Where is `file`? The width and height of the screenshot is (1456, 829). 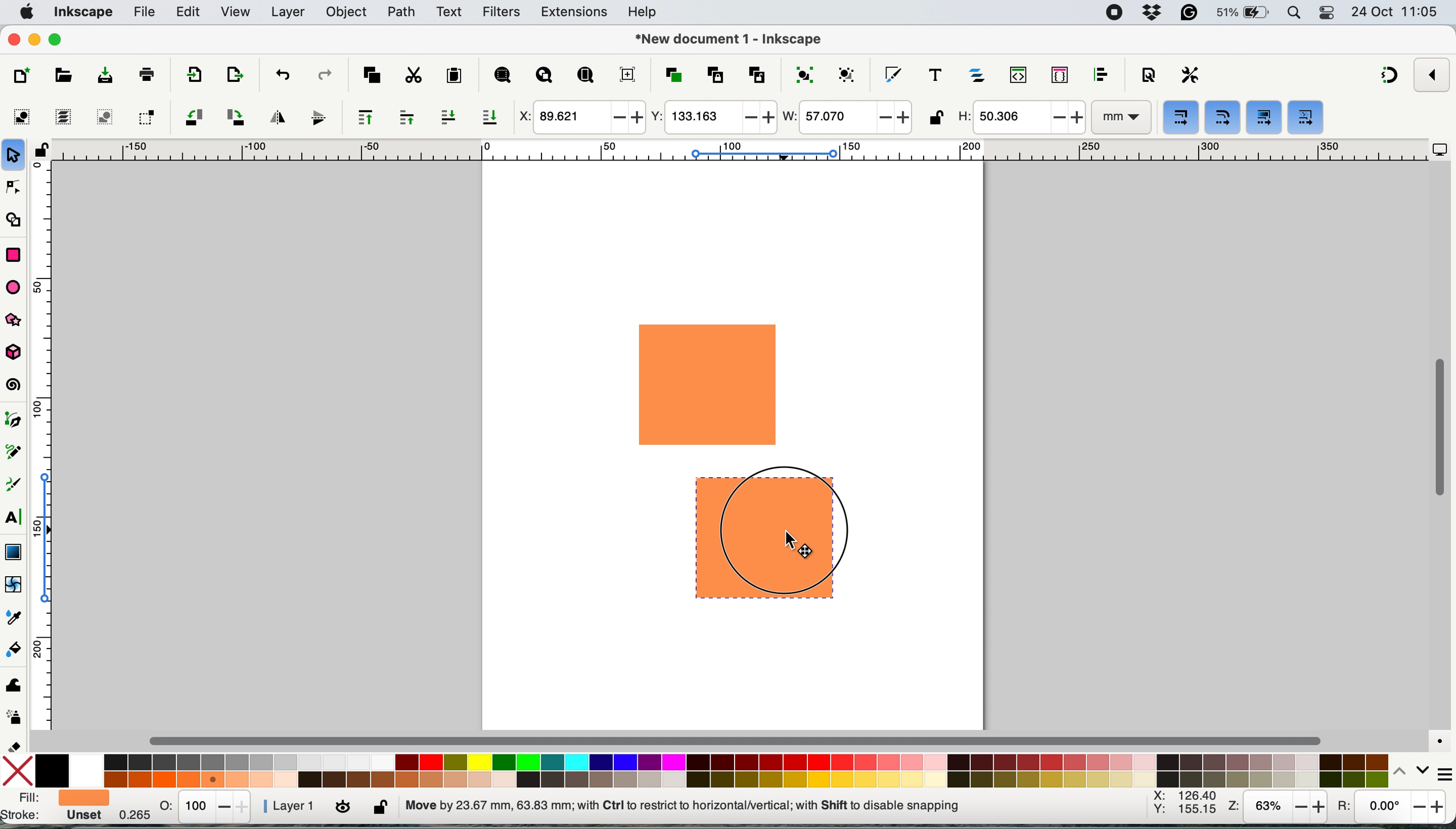
file is located at coordinates (143, 13).